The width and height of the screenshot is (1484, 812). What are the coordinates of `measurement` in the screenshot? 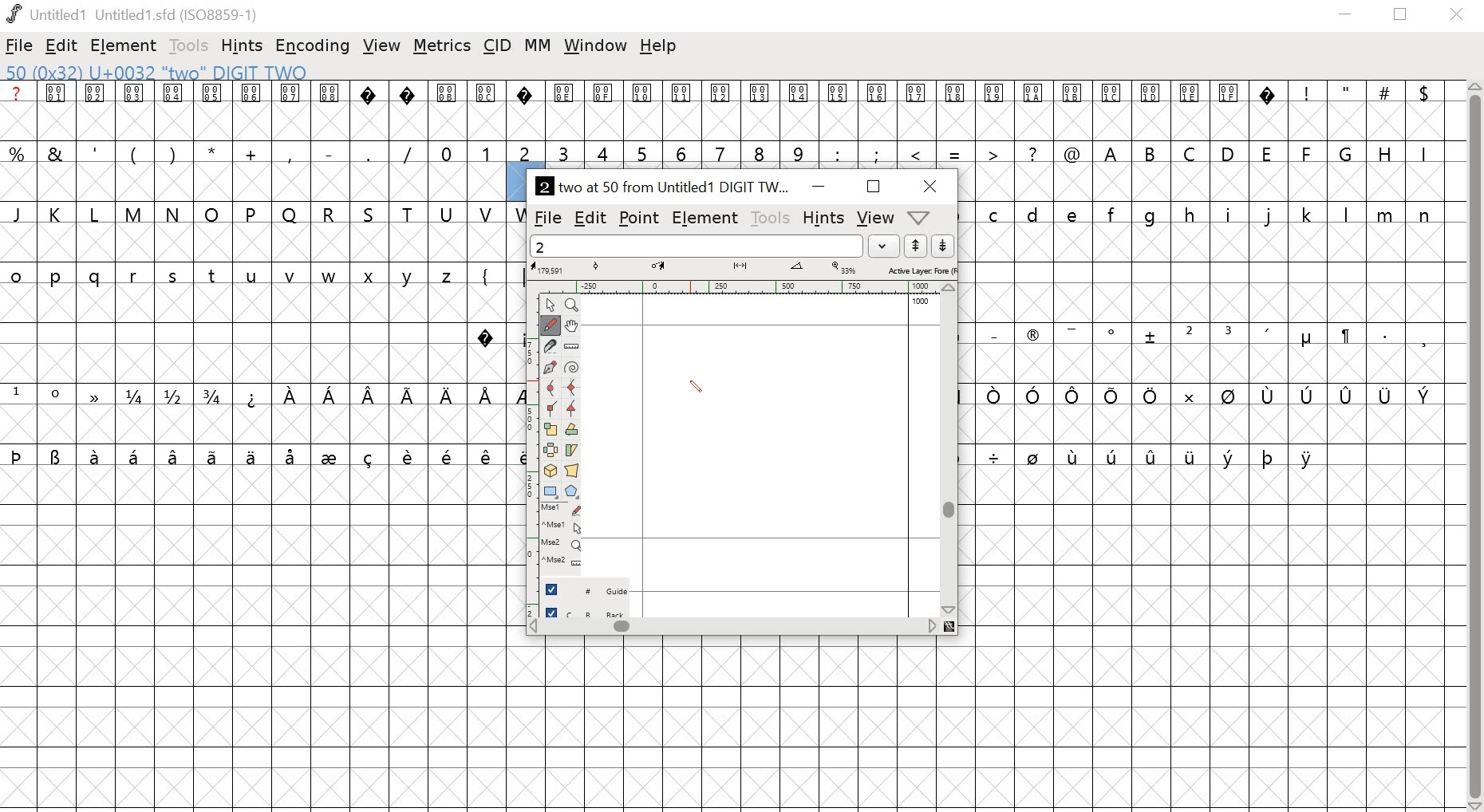 It's located at (741, 269).